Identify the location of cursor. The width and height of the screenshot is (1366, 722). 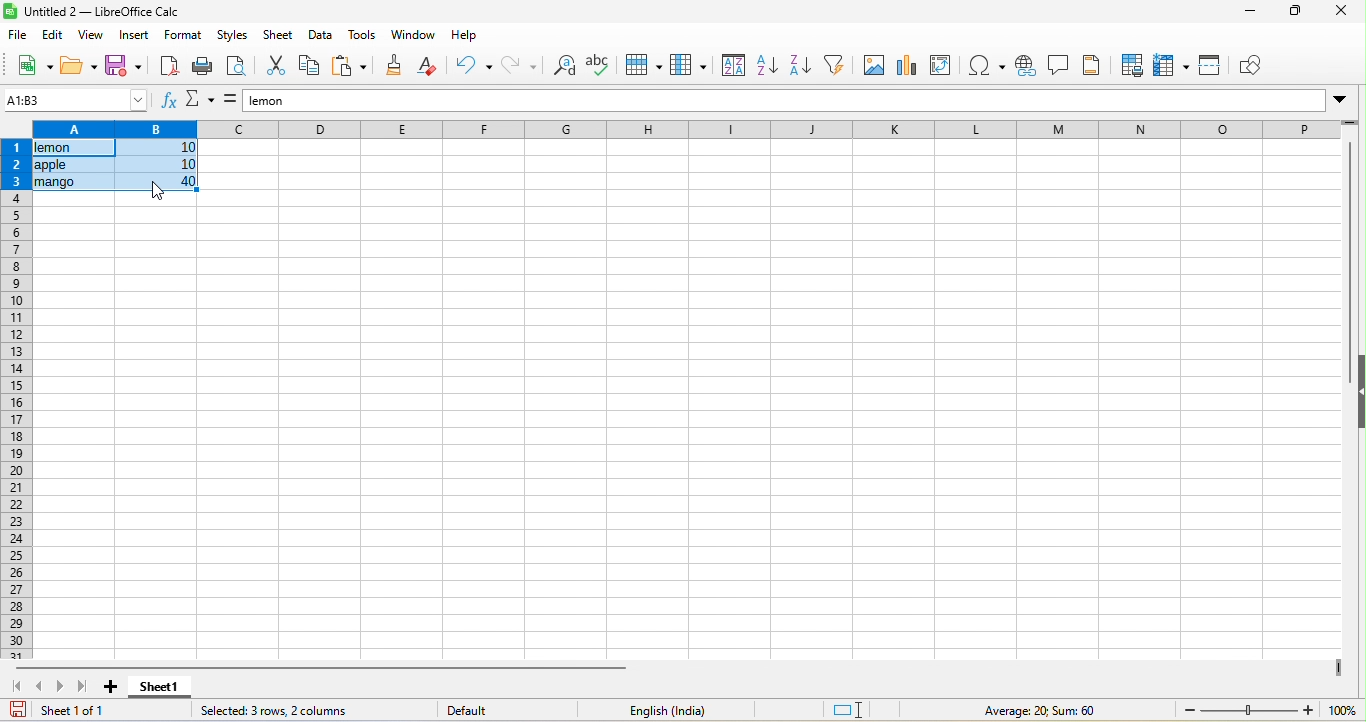
(159, 190).